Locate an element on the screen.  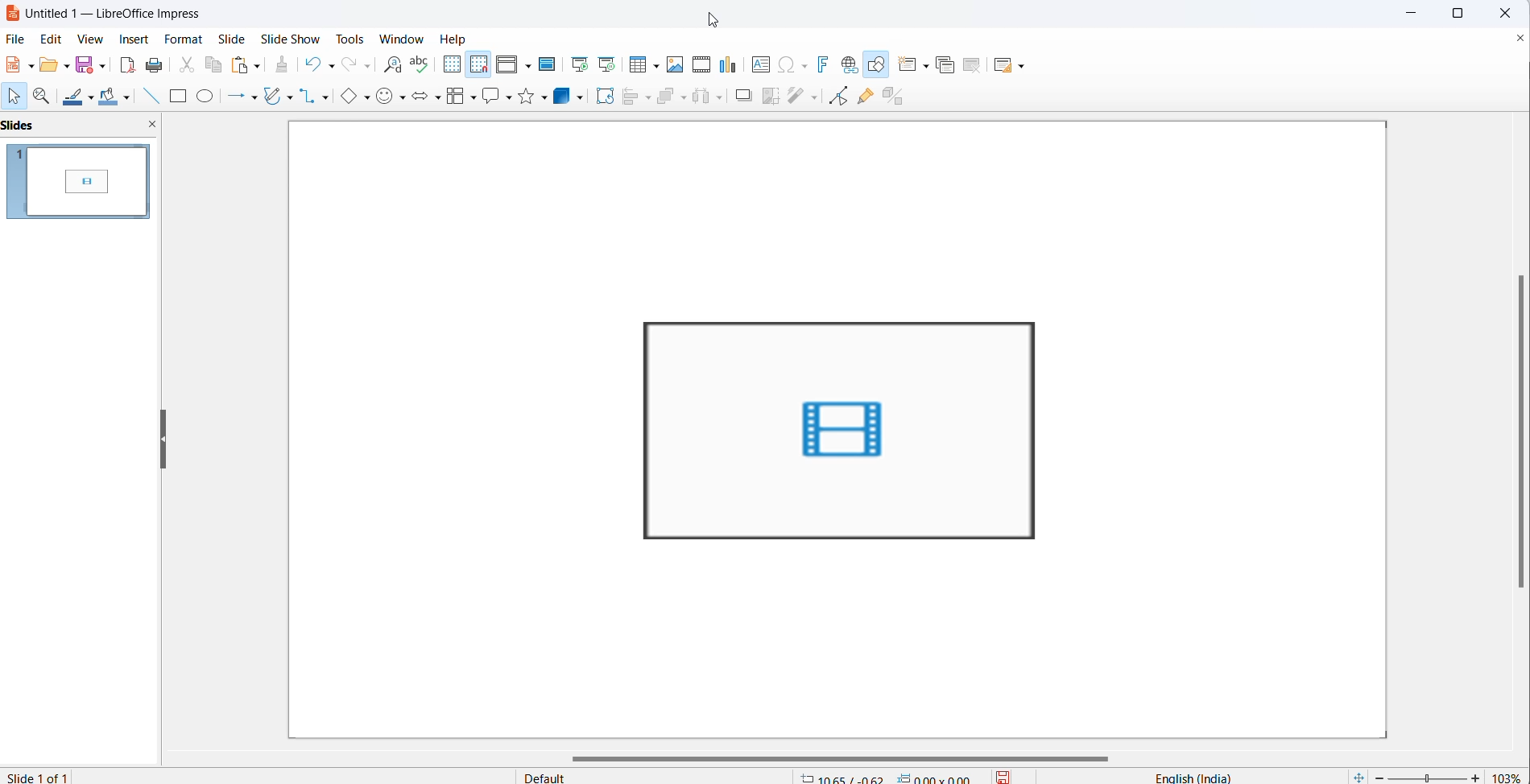
insert images is located at coordinates (677, 67).